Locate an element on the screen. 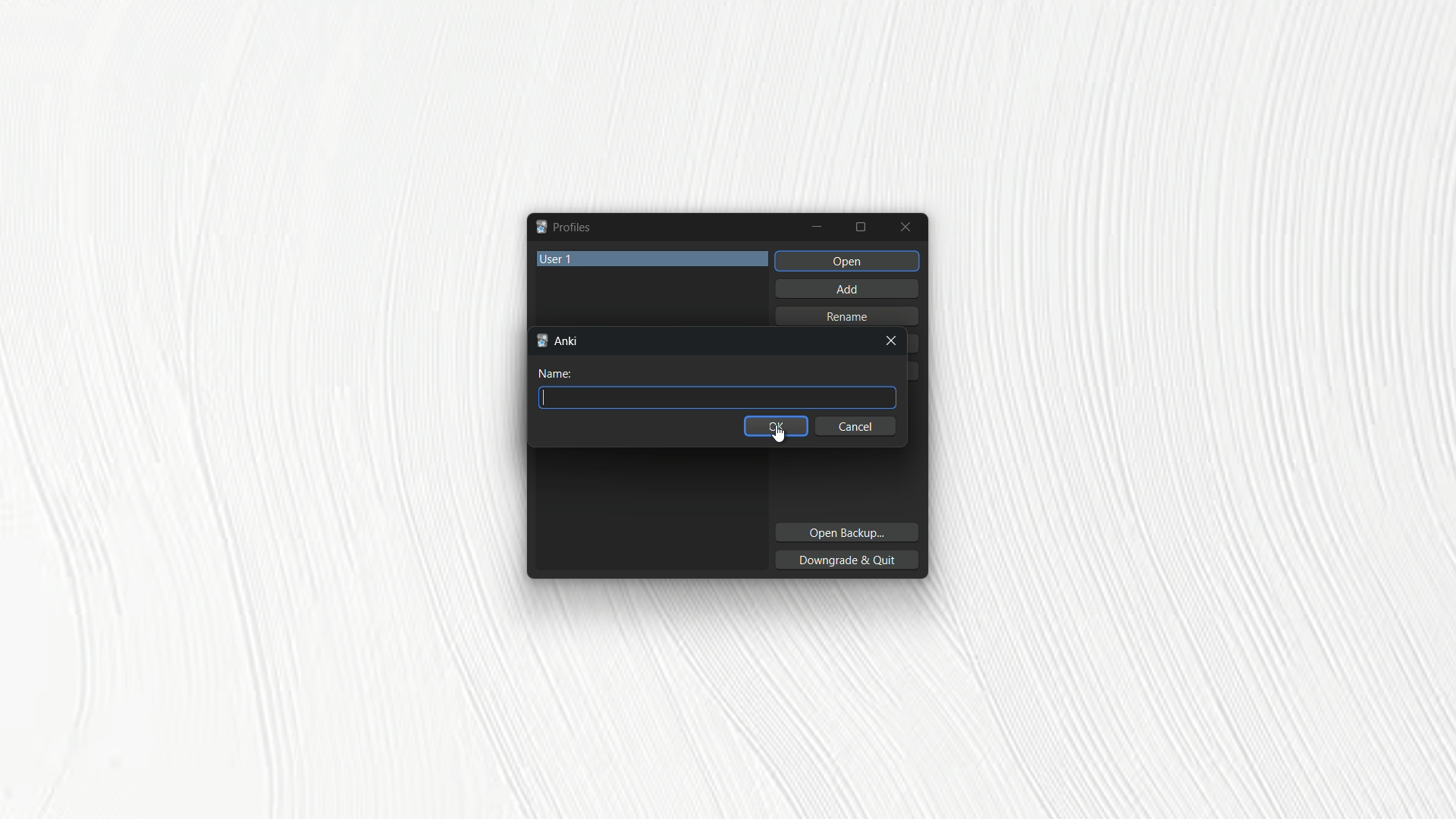 The image size is (1456, 819). Maximize is located at coordinates (863, 227).